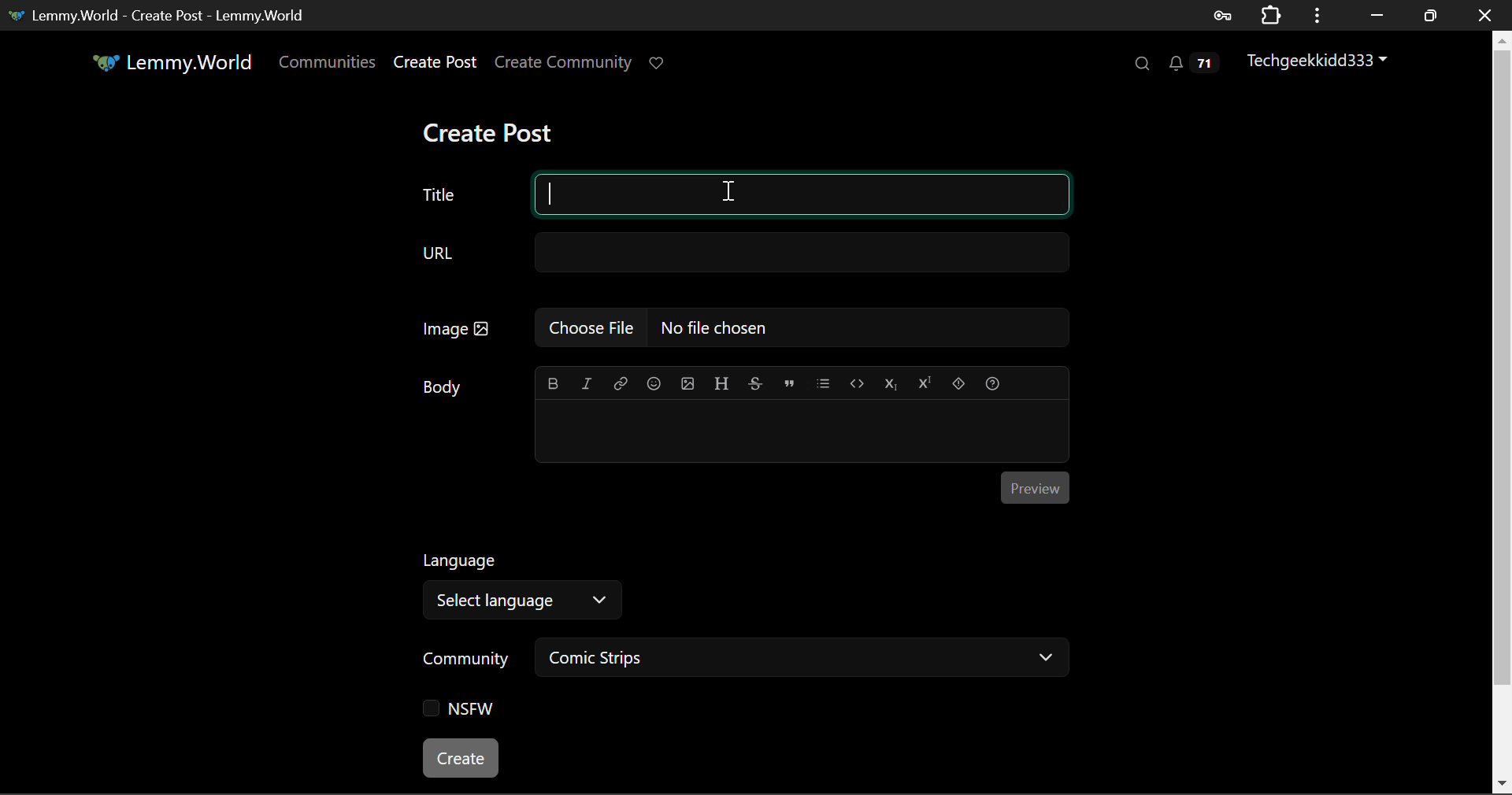  Describe the element at coordinates (1142, 65) in the screenshot. I see `Search` at that location.